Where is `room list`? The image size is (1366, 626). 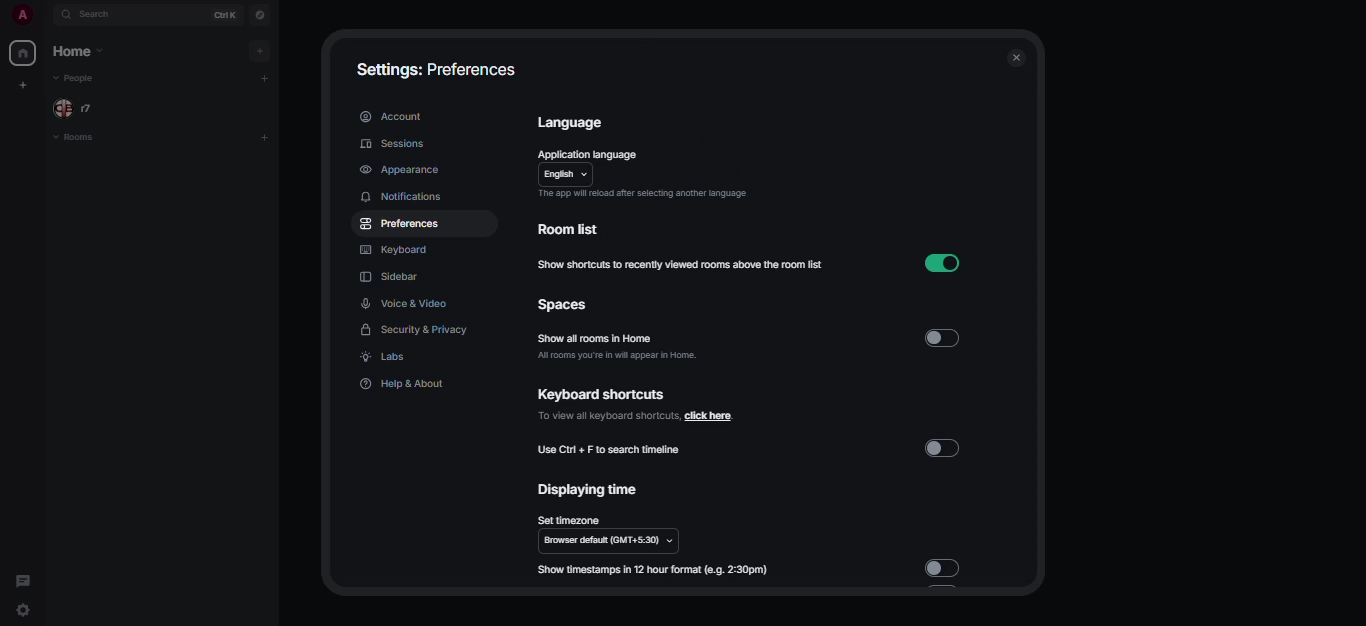 room list is located at coordinates (575, 228).